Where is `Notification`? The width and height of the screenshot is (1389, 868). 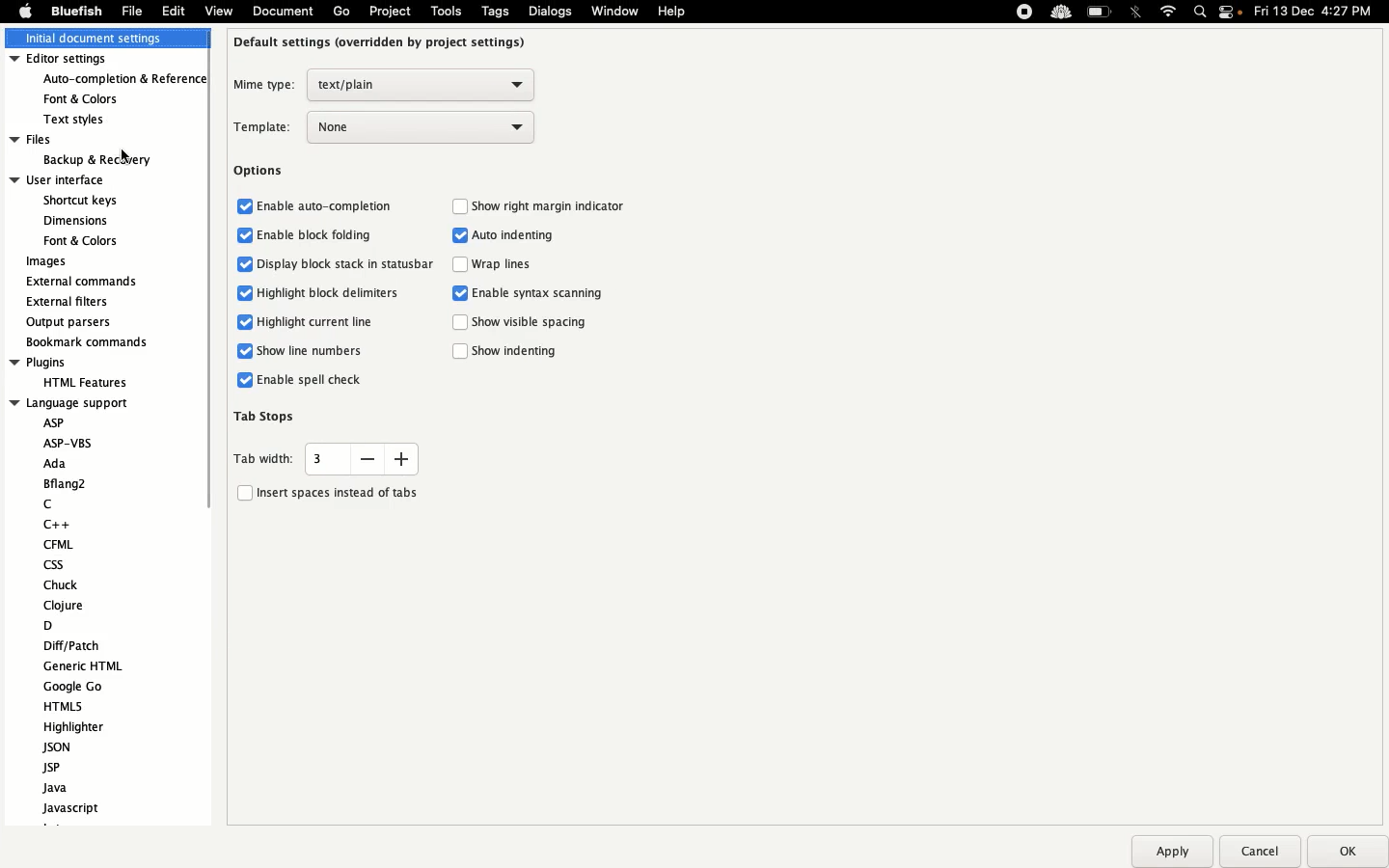
Notification is located at coordinates (1234, 14).